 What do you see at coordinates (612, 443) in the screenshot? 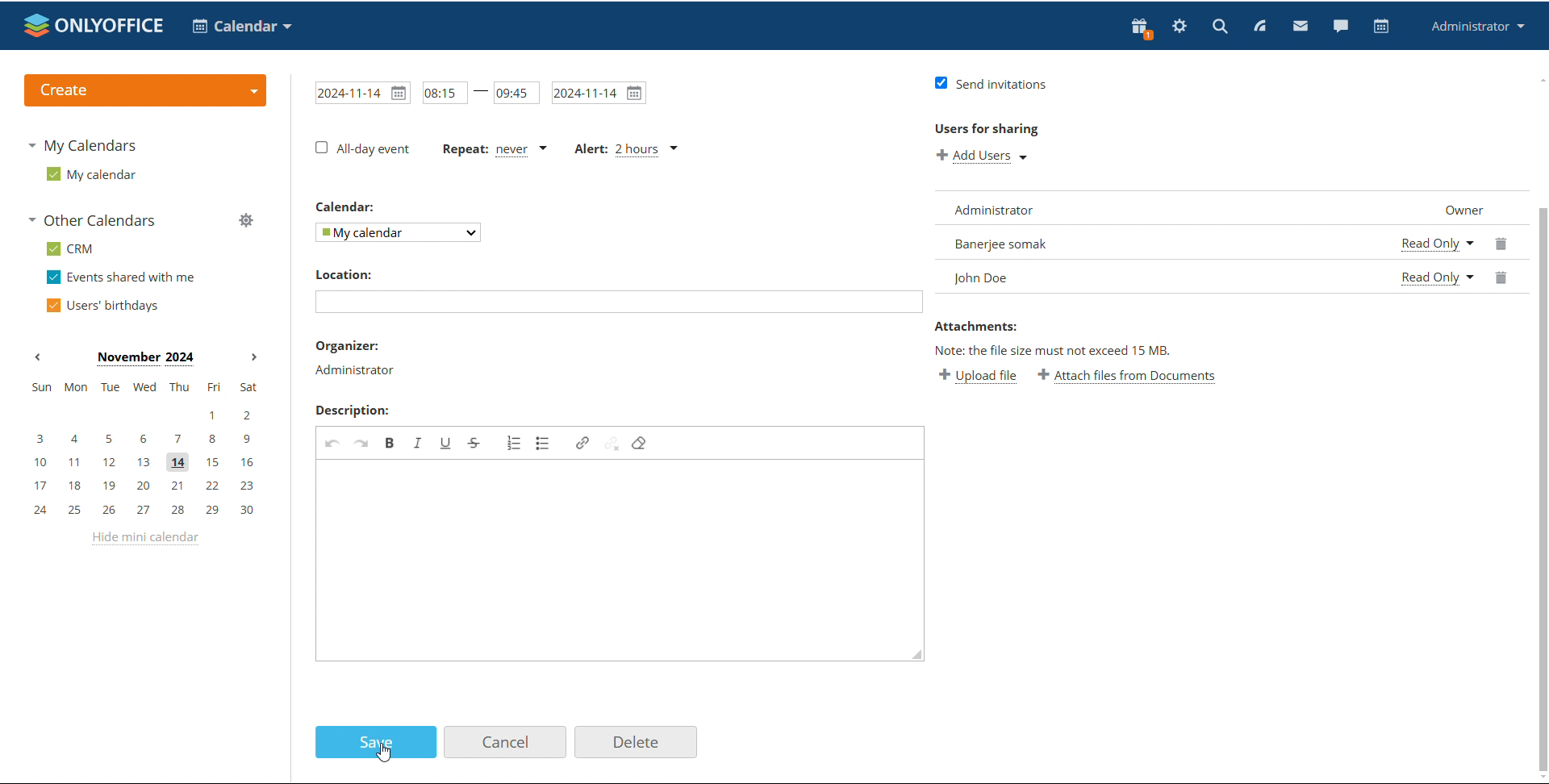
I see `Unlink` at bounding box center [612, 443].